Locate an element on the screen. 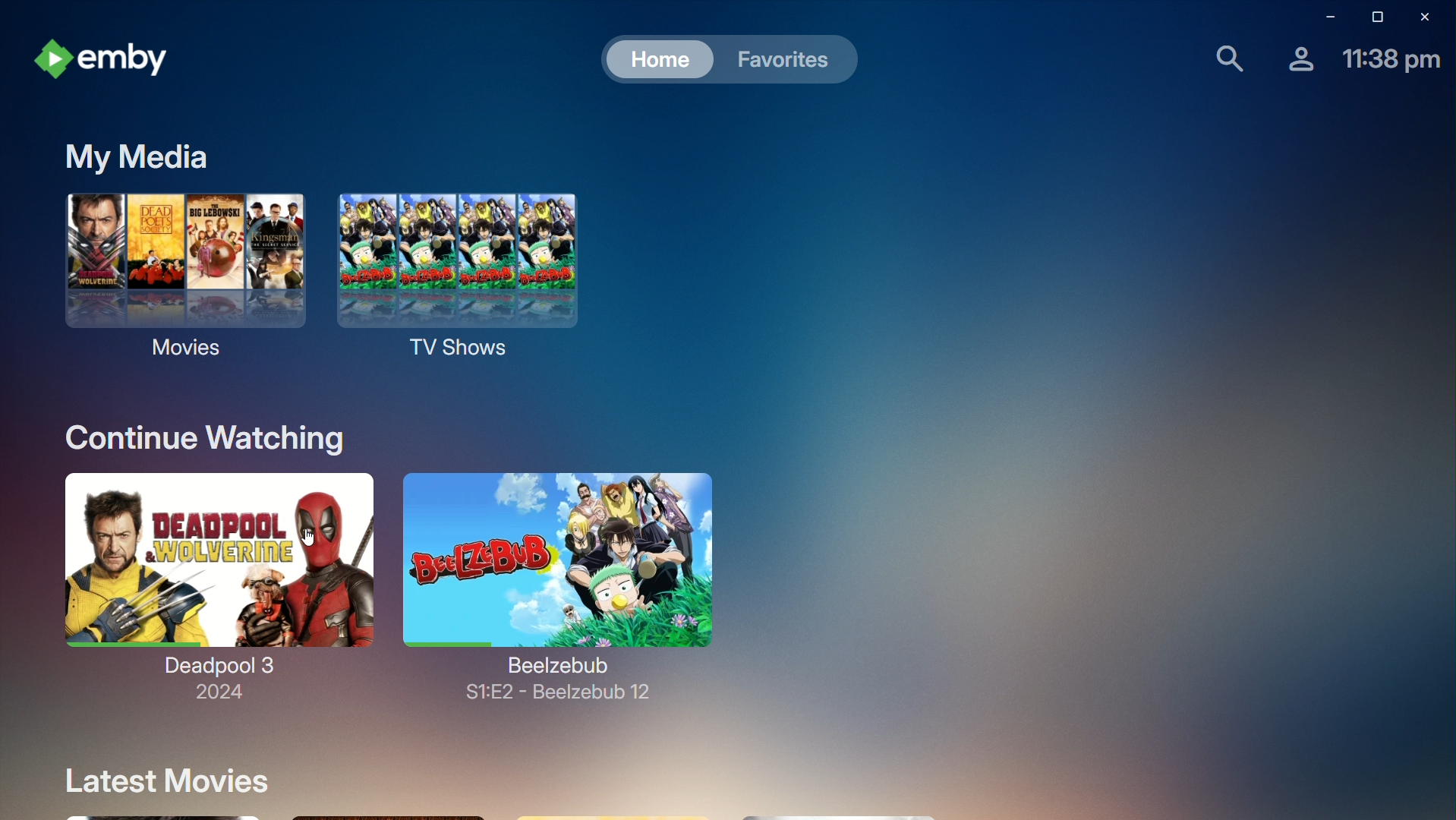 The height and width of the screenshot is (820, 1456). Deadpool 3 is located at coordinates (206, 574).